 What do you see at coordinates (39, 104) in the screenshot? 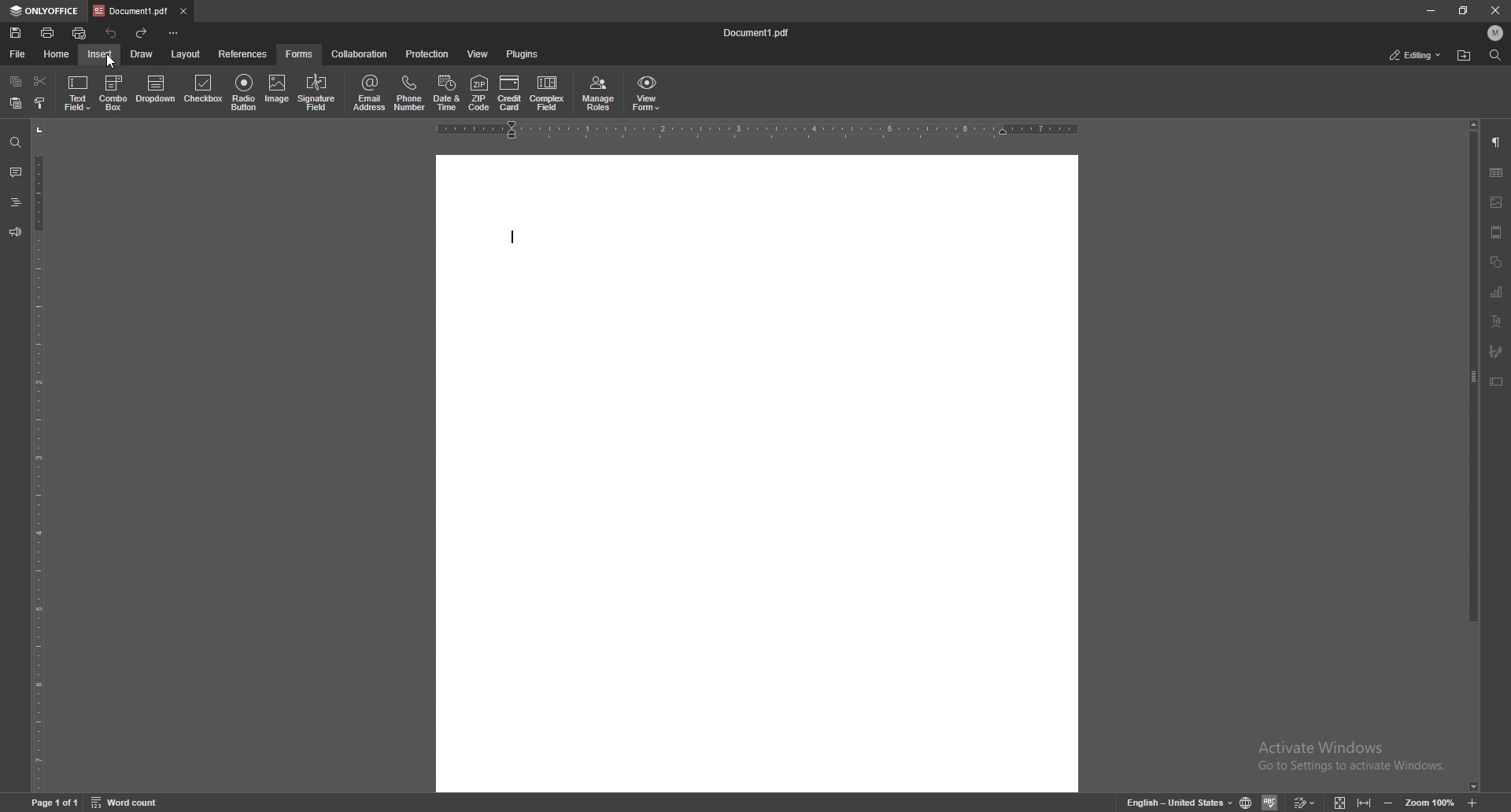
I see `copy style` at bounding box center [39, 104].